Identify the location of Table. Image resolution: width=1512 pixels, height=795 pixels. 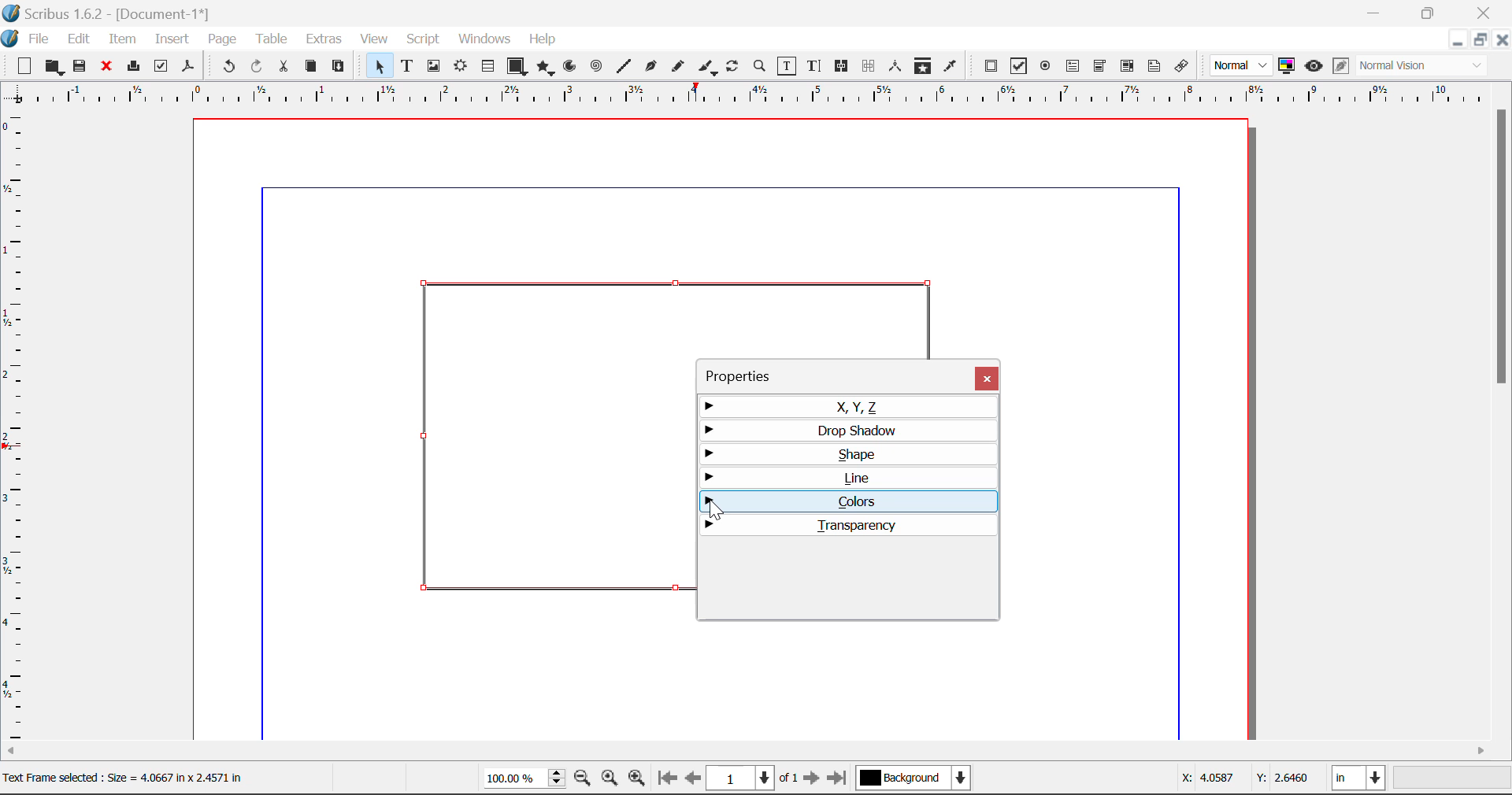
(271, 38).